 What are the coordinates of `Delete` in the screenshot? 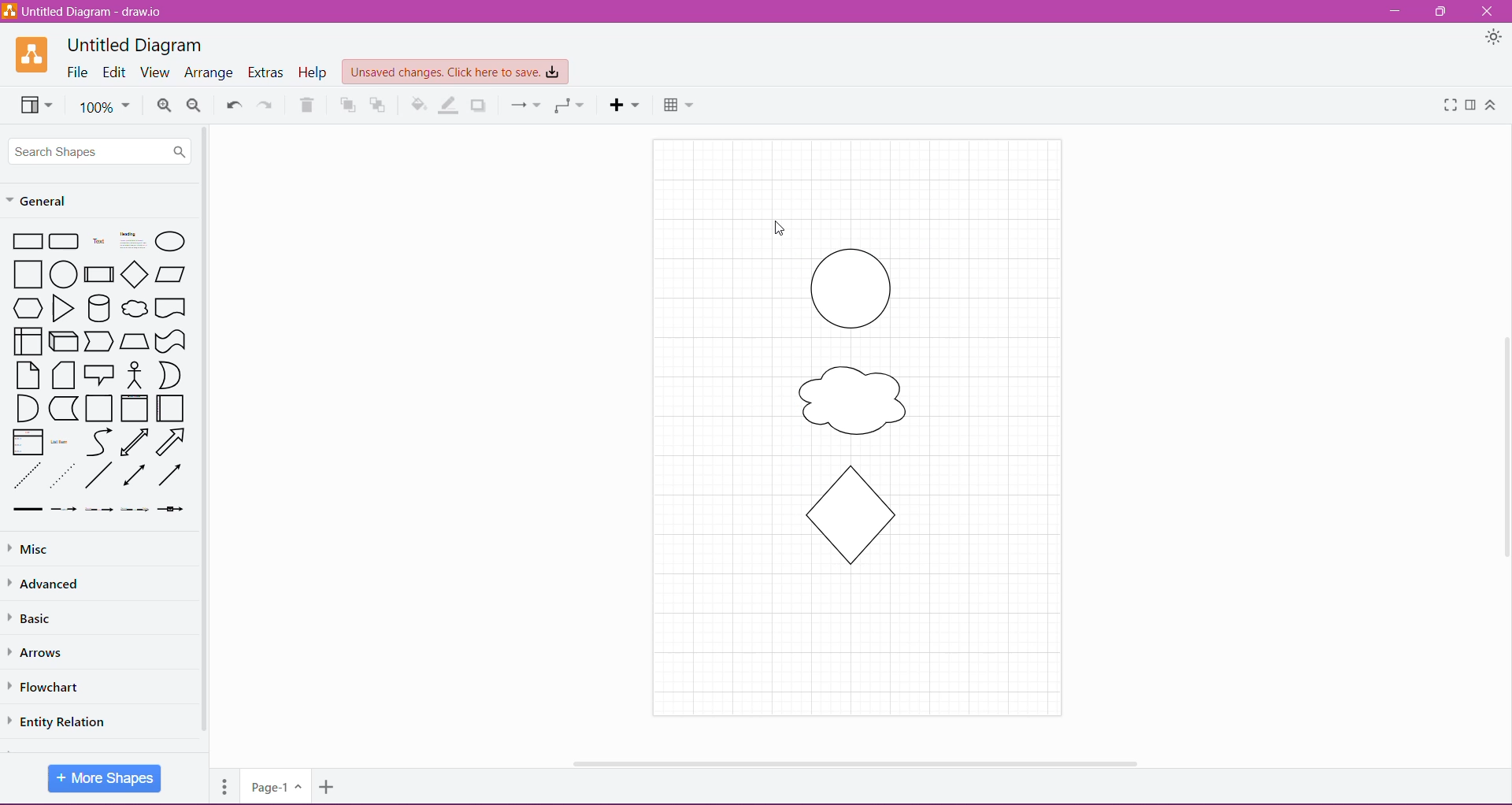 It's located at (307, 105).